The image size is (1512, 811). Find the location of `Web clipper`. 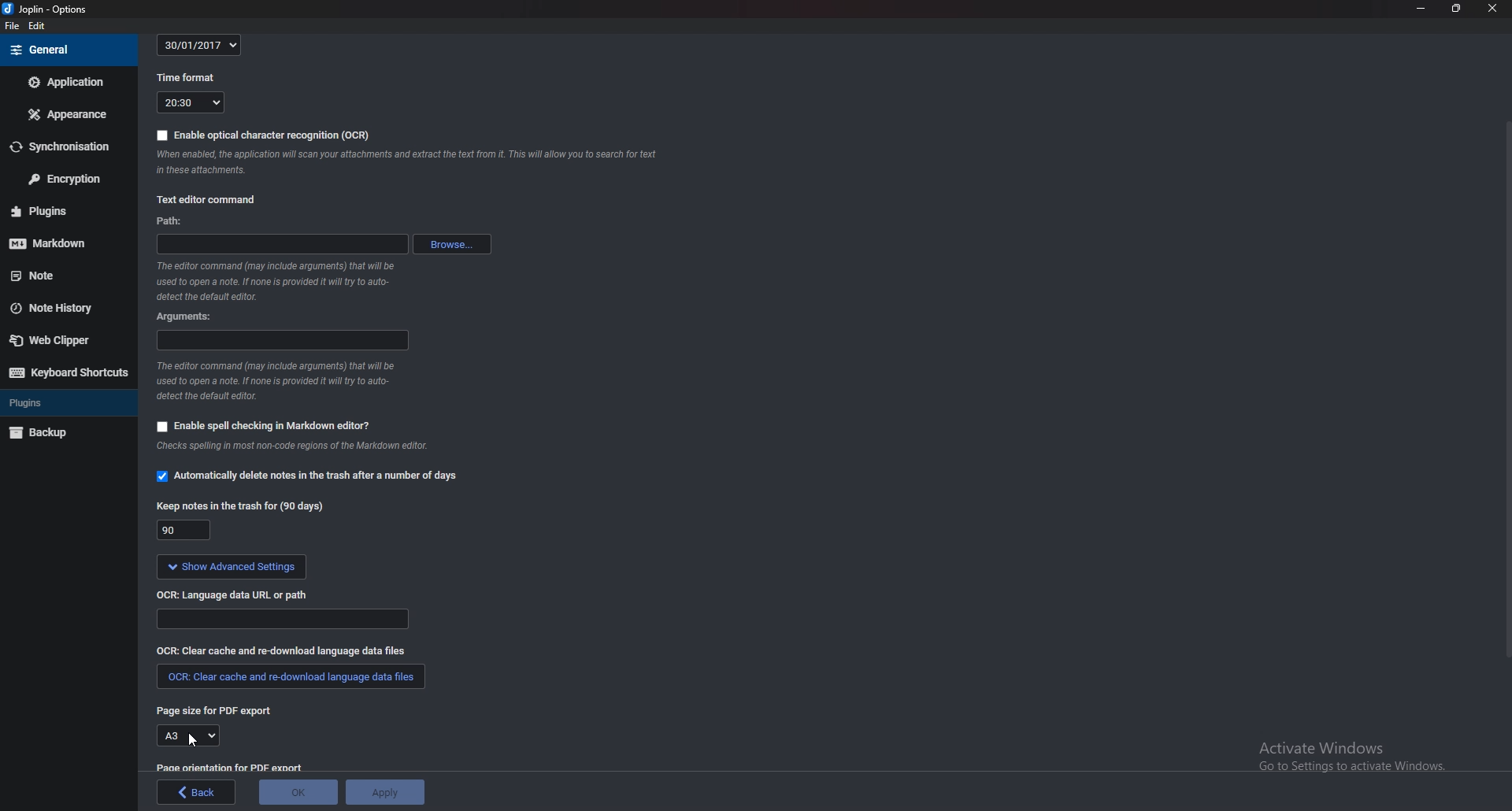

Web clipper is located at coordinates (61, 339).